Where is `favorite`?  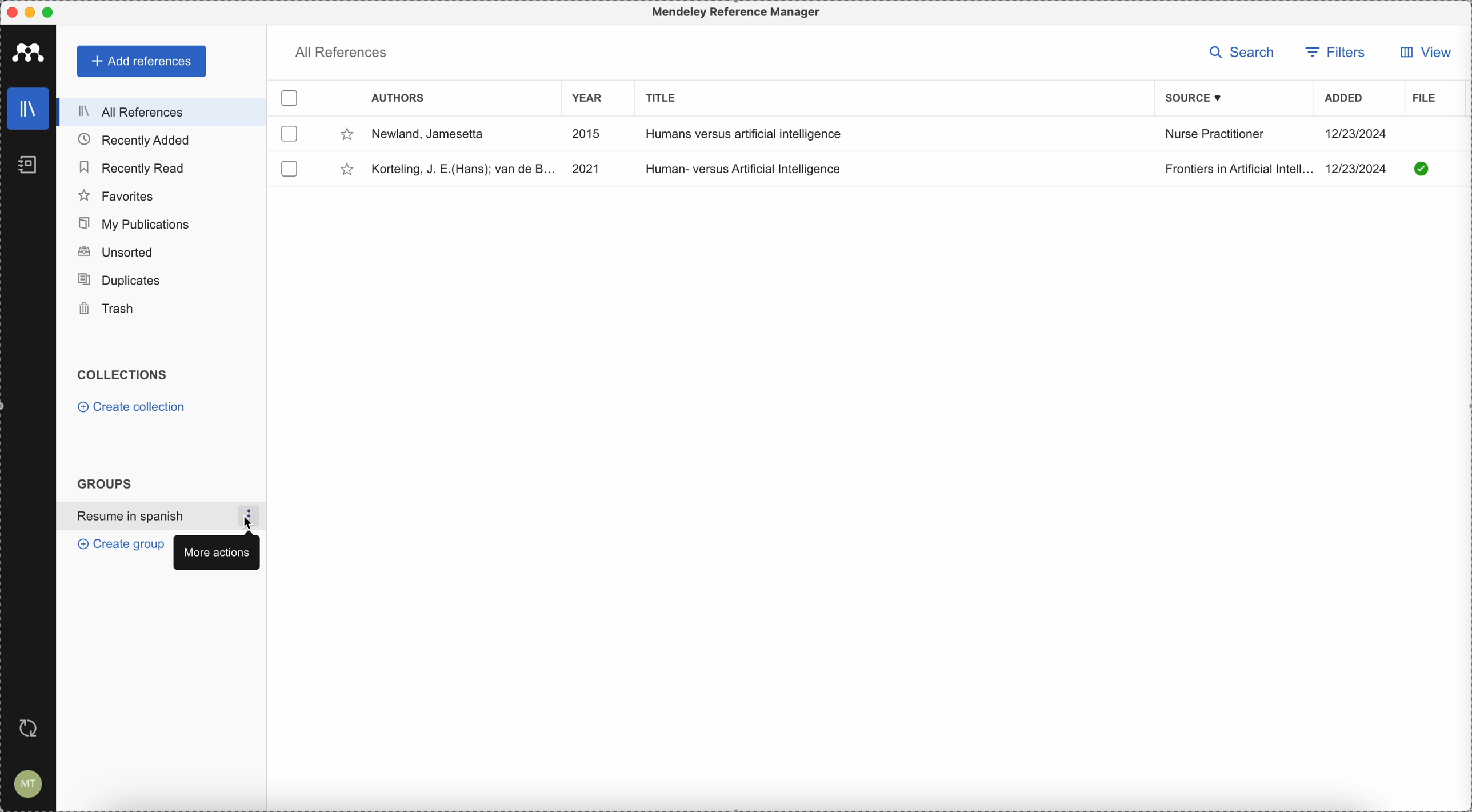 favorite is located at coordinates (345, 135).